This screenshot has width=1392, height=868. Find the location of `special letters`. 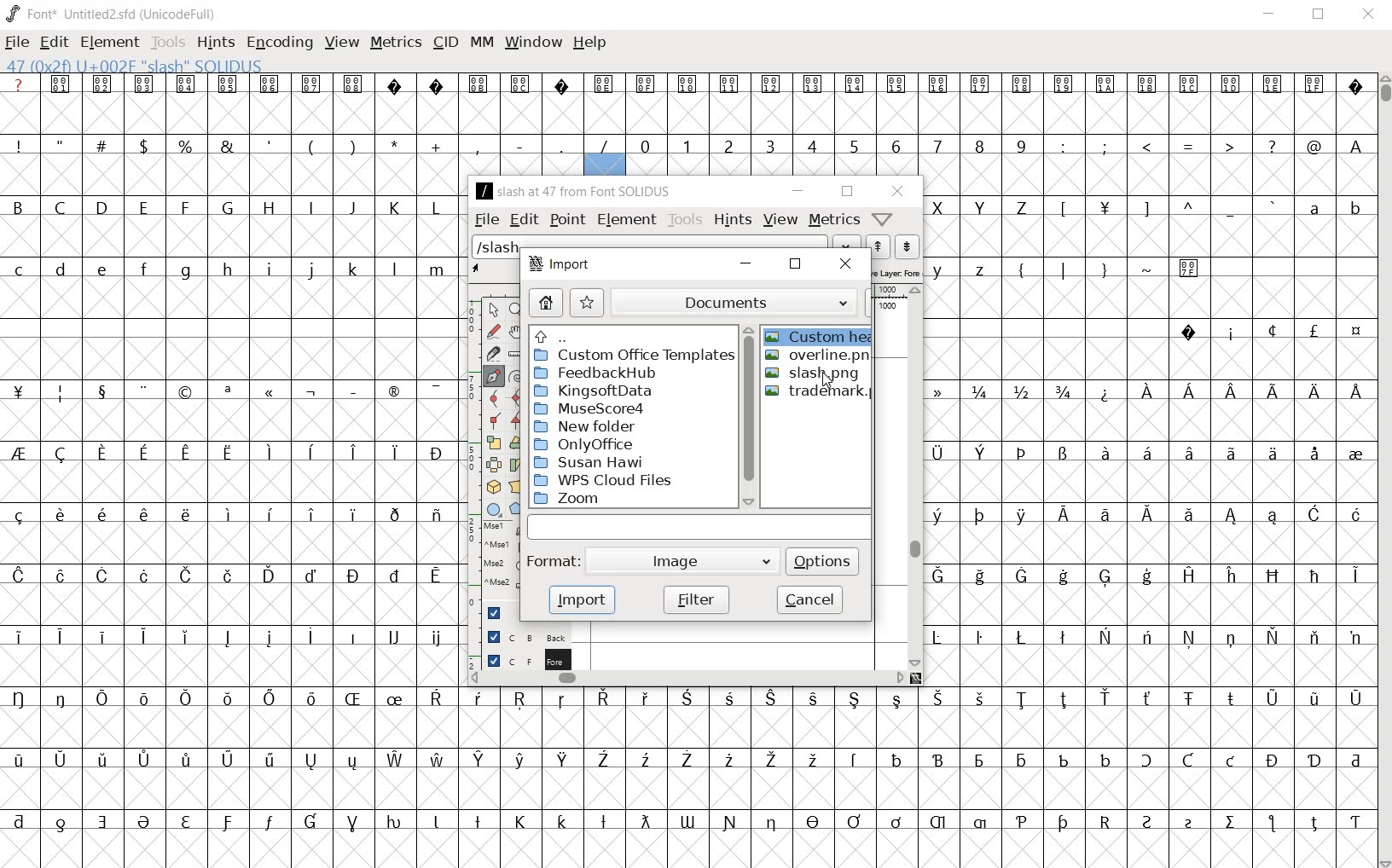

special letters is located at coordinates (229, 515).